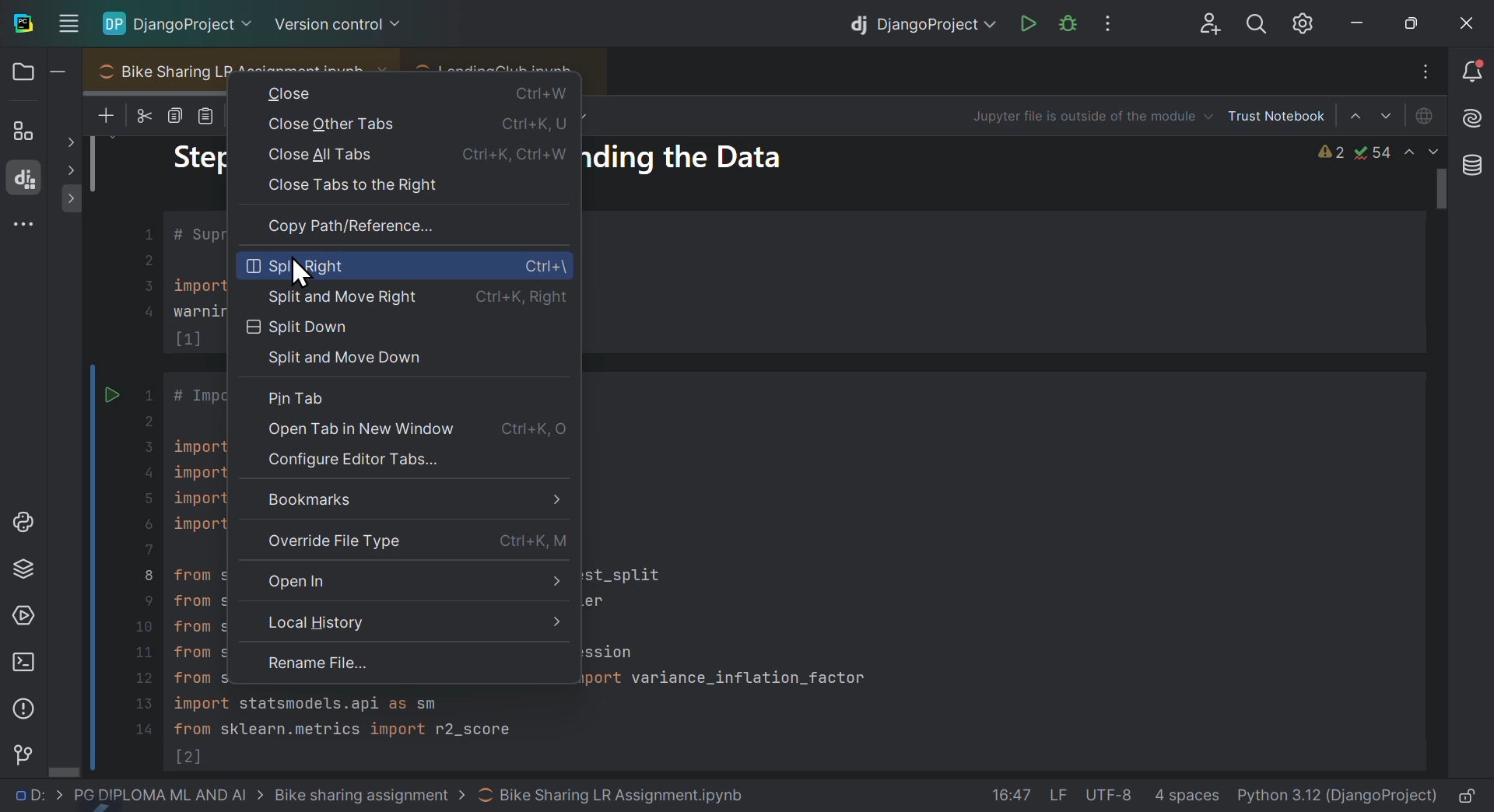 Image resolution: width=1494 pixels, height=812 pixels. Describe the element at coordinates (1088, 117) in the screenshot. I see `Jupiter file is outside of the modus` at that location.